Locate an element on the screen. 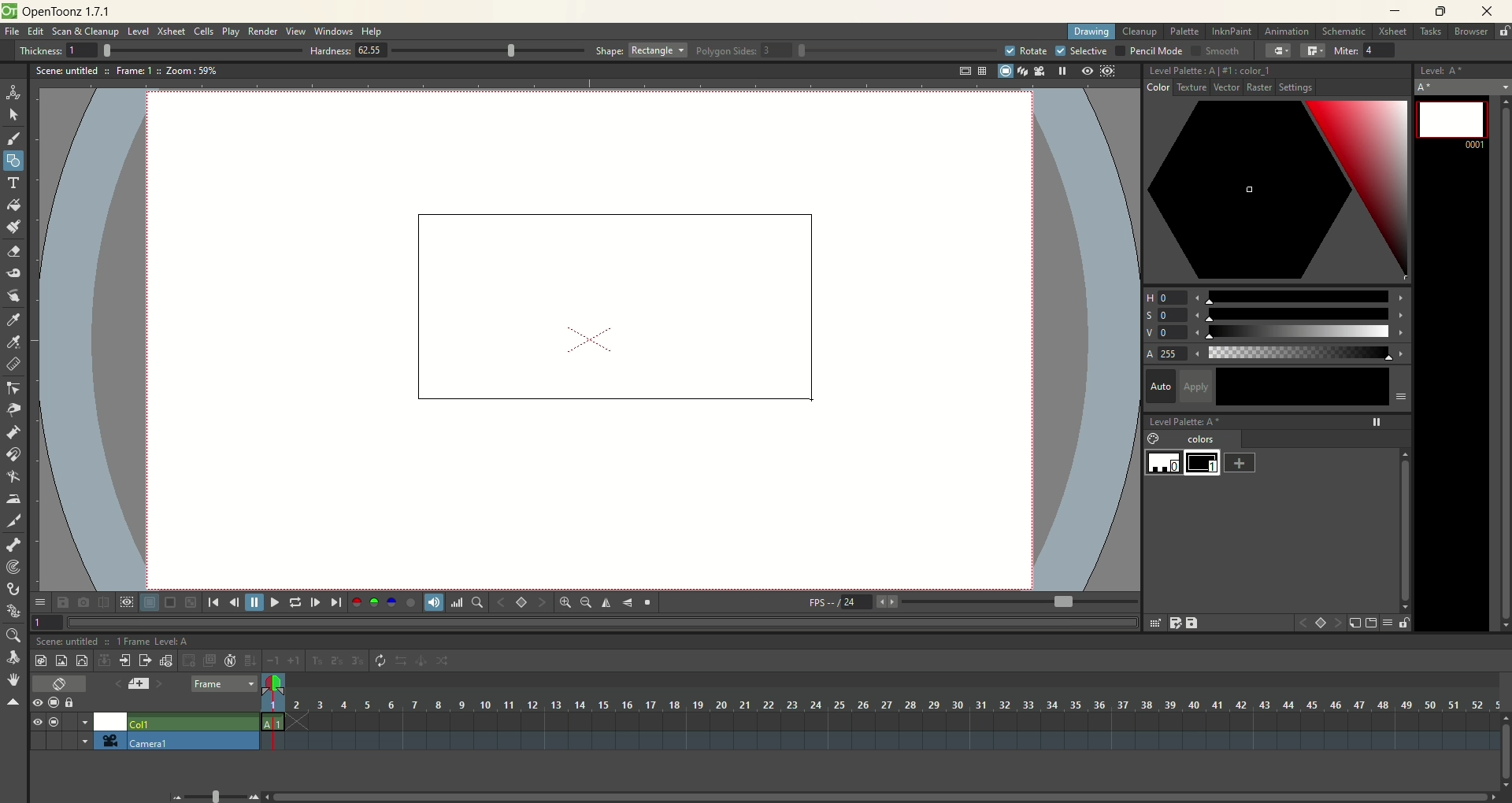 This screenshot has width=1512, height=803. view is located at coordinates (34, 722).